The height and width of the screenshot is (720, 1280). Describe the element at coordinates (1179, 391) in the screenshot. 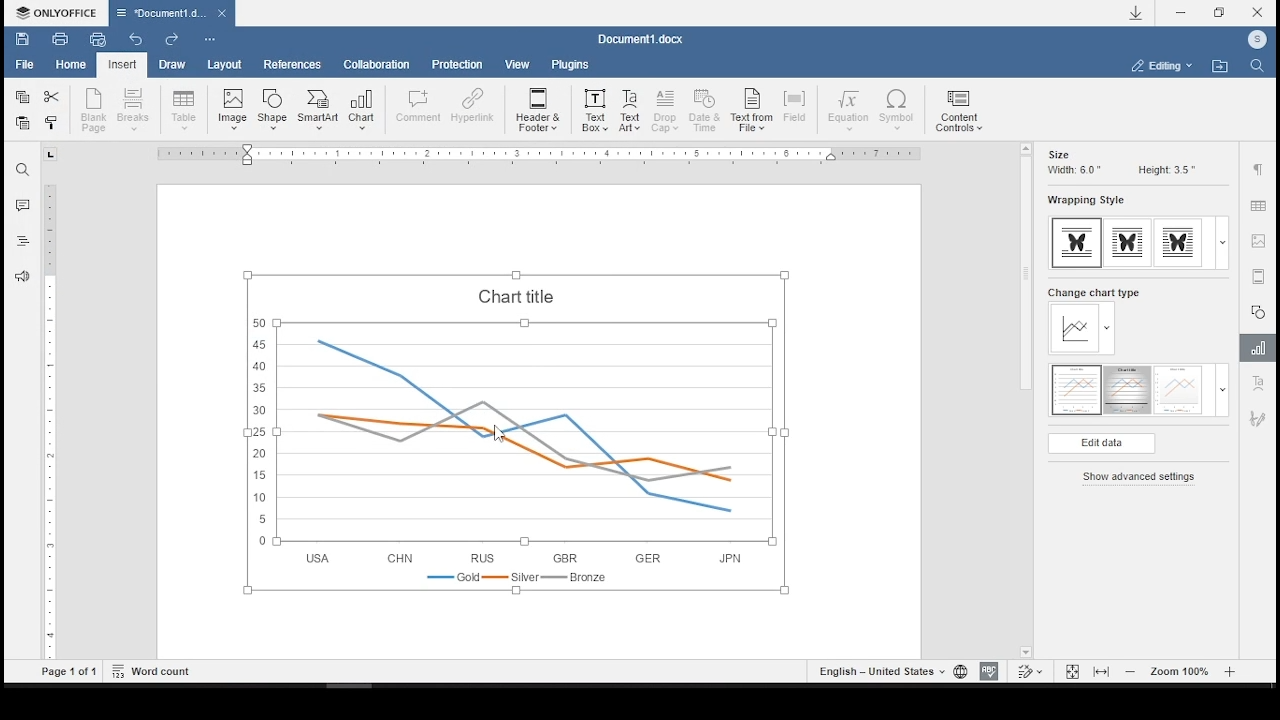

I see `chart style 3` at that location.